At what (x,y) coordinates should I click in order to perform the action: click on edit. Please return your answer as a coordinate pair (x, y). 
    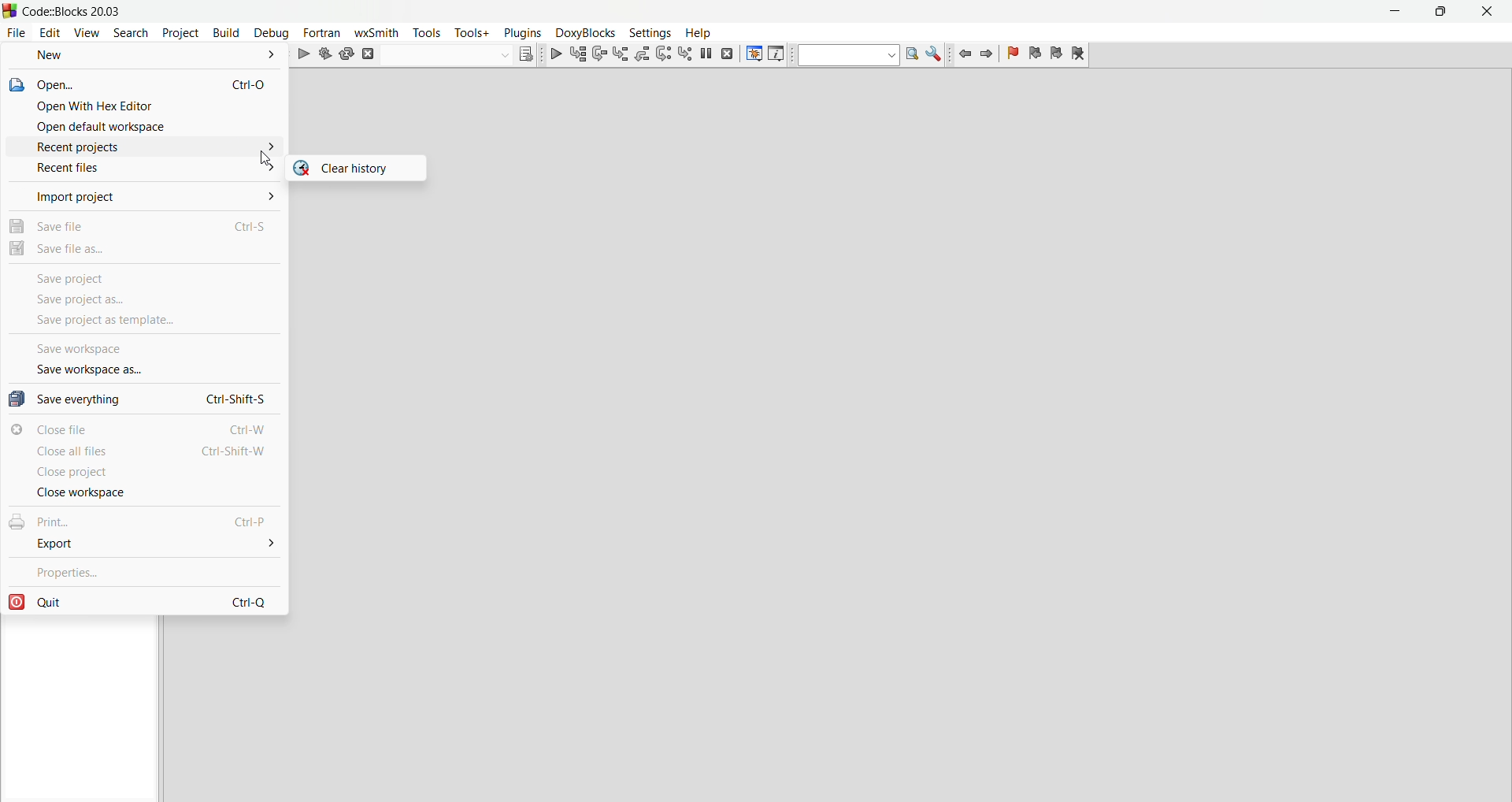
    Looking at the image, I should click on (52, 33).